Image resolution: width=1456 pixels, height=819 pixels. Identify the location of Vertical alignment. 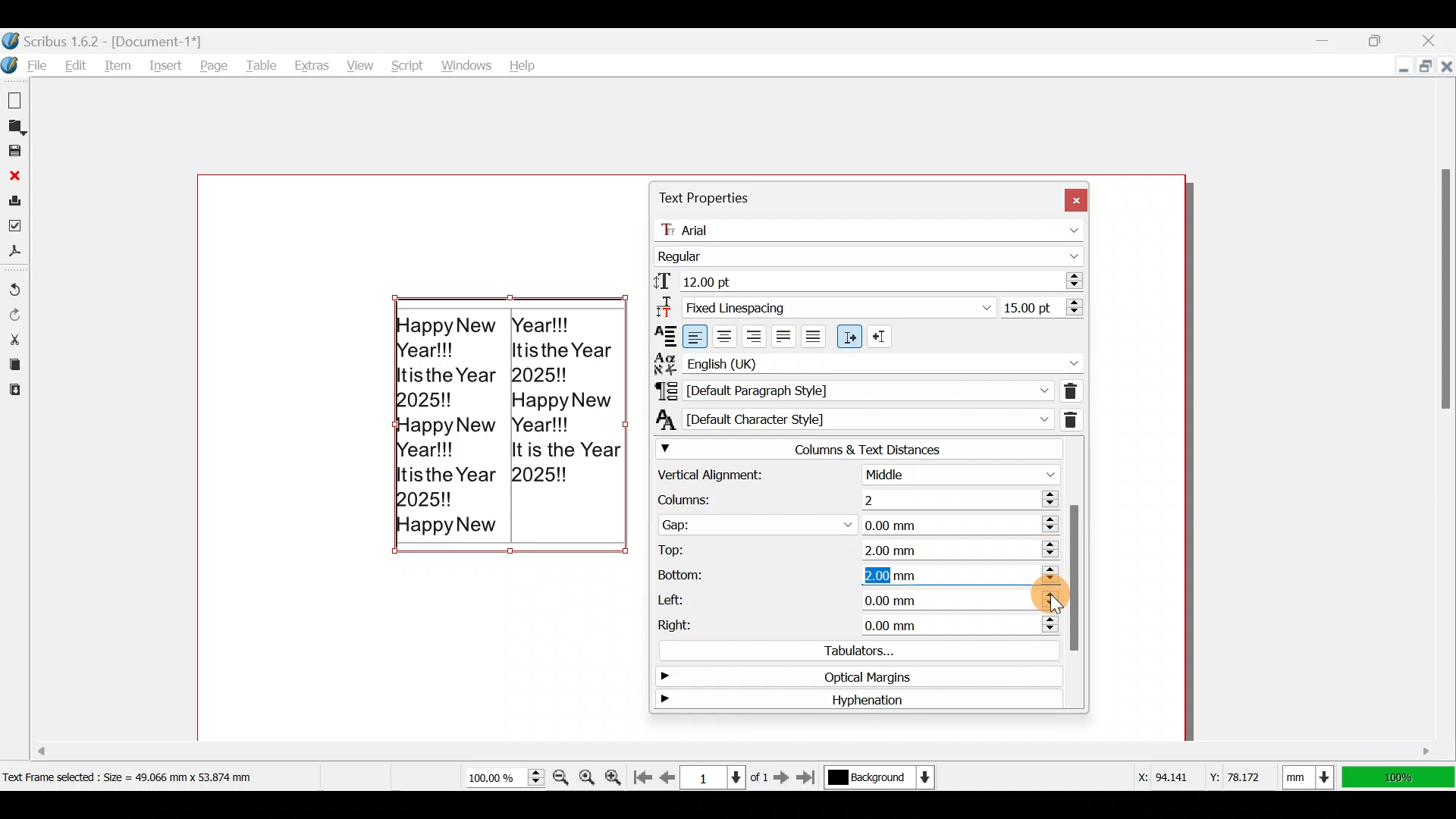
(855, 475).